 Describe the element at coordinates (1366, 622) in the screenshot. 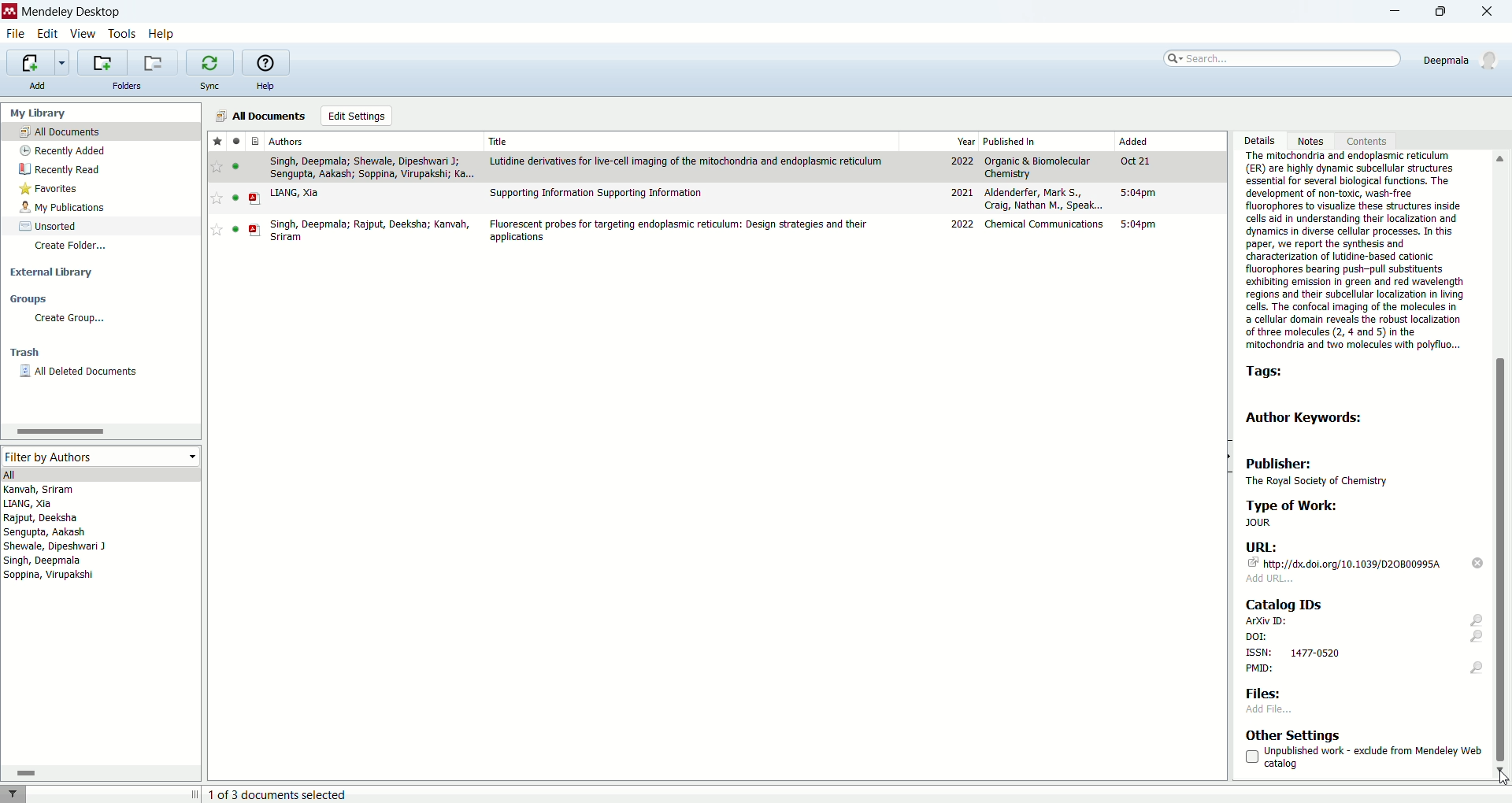

I see `arxiv ID: ` at that location.